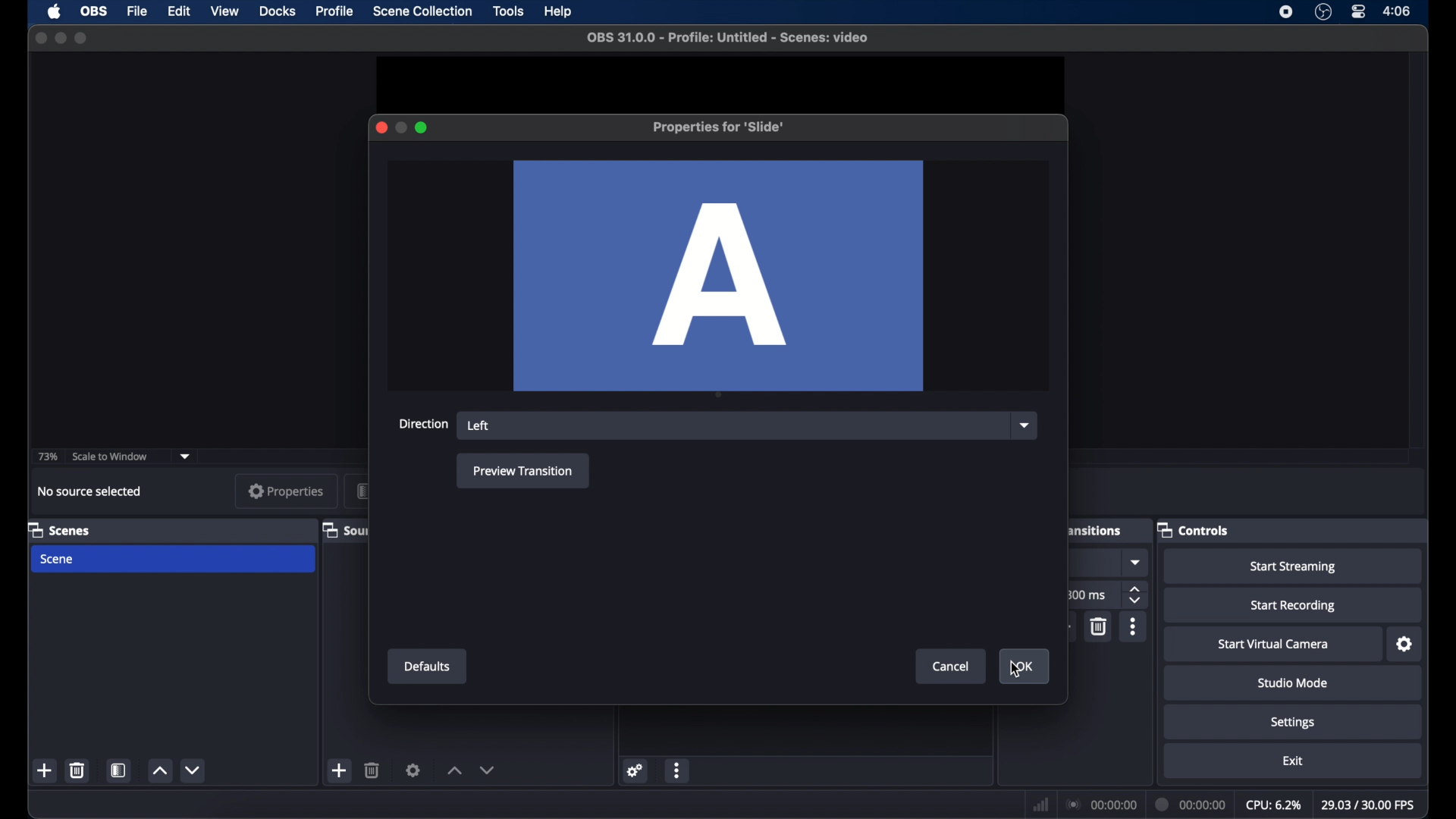  Describe the element at coordinates (90, 491) in the screenshot. I see `no source selected` at that location.